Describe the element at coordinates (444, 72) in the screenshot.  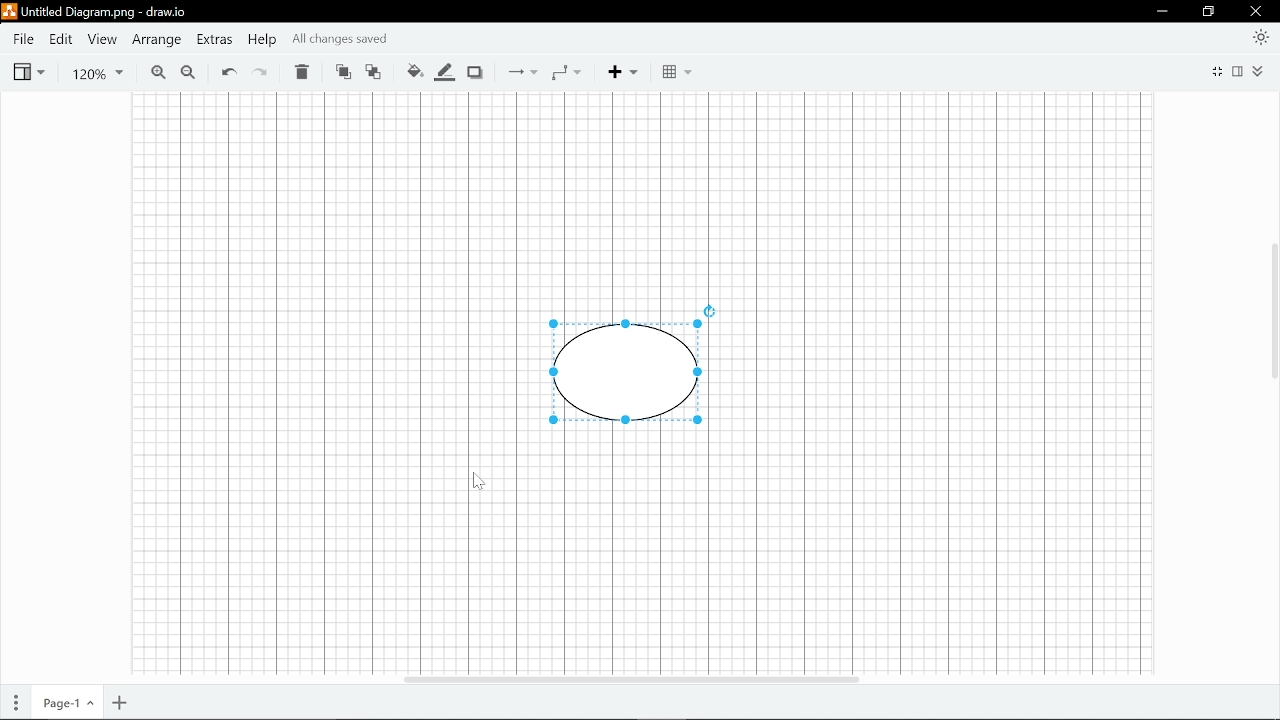
I see `Fill line` at that location.